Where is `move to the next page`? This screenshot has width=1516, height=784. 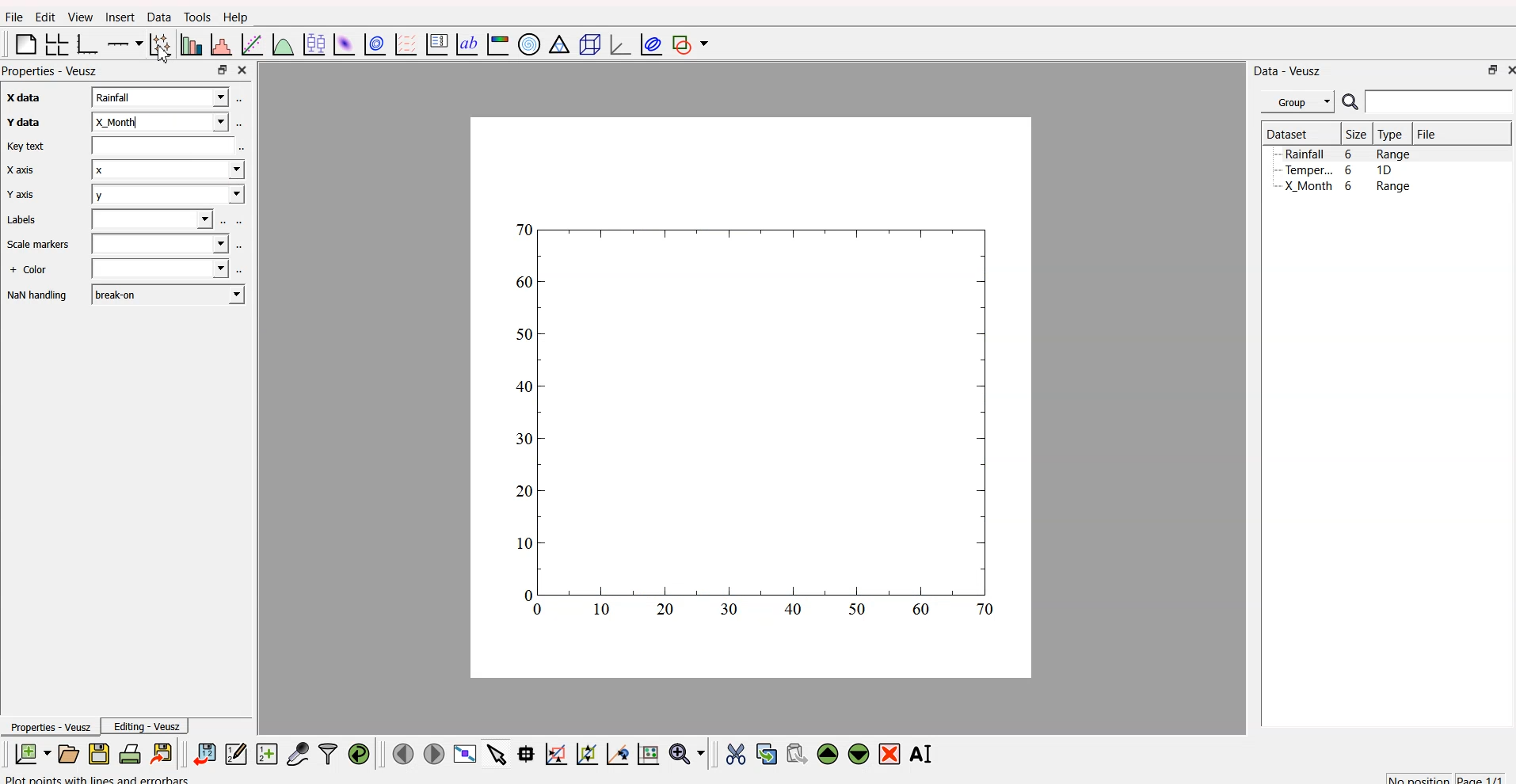
move to the next page is located at coordinates (436, 754).